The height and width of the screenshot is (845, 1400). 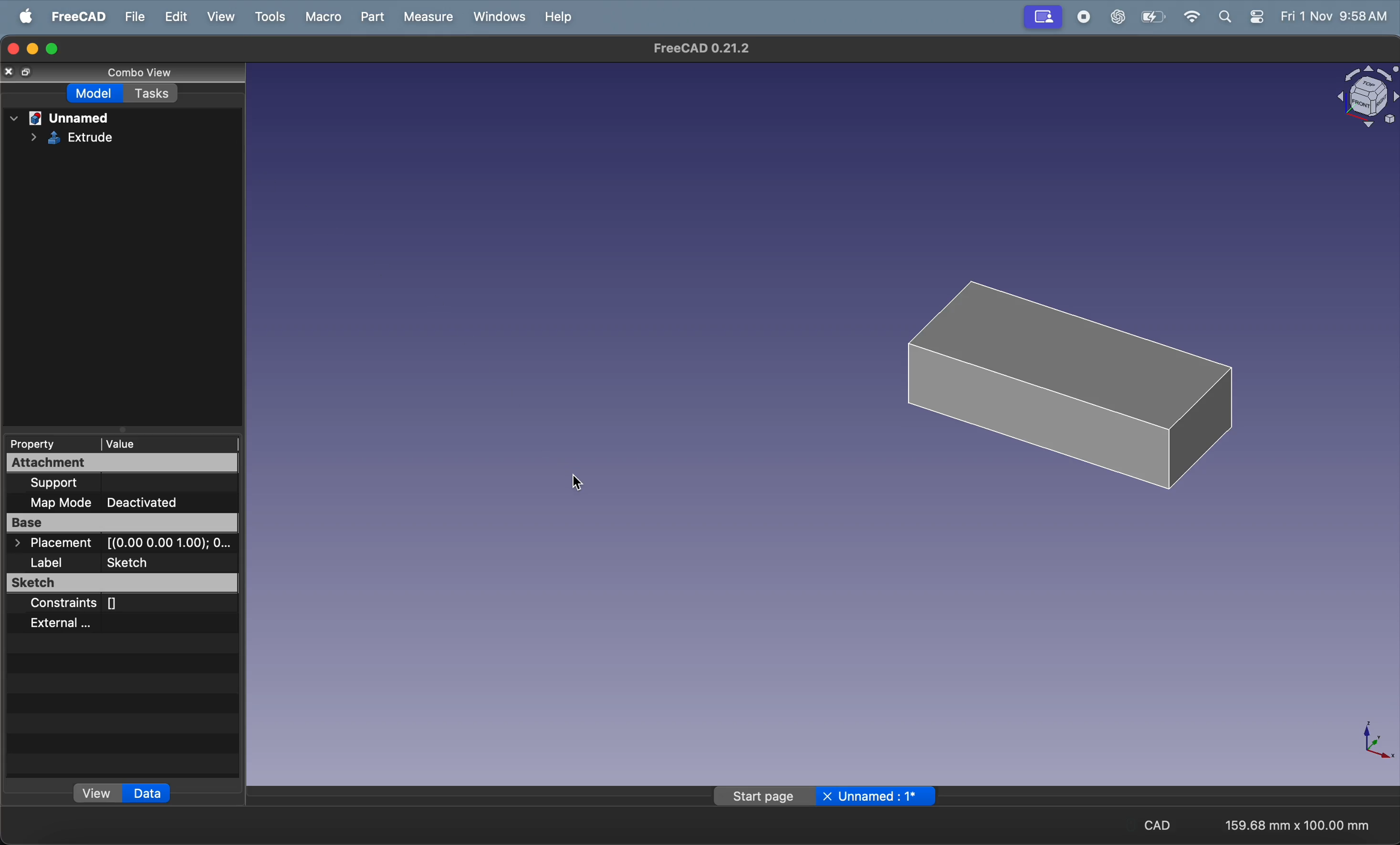 What do you see at coordinates (1370, 738) in the screenshot?
I see `axis` at bounding box center [1370, 738].